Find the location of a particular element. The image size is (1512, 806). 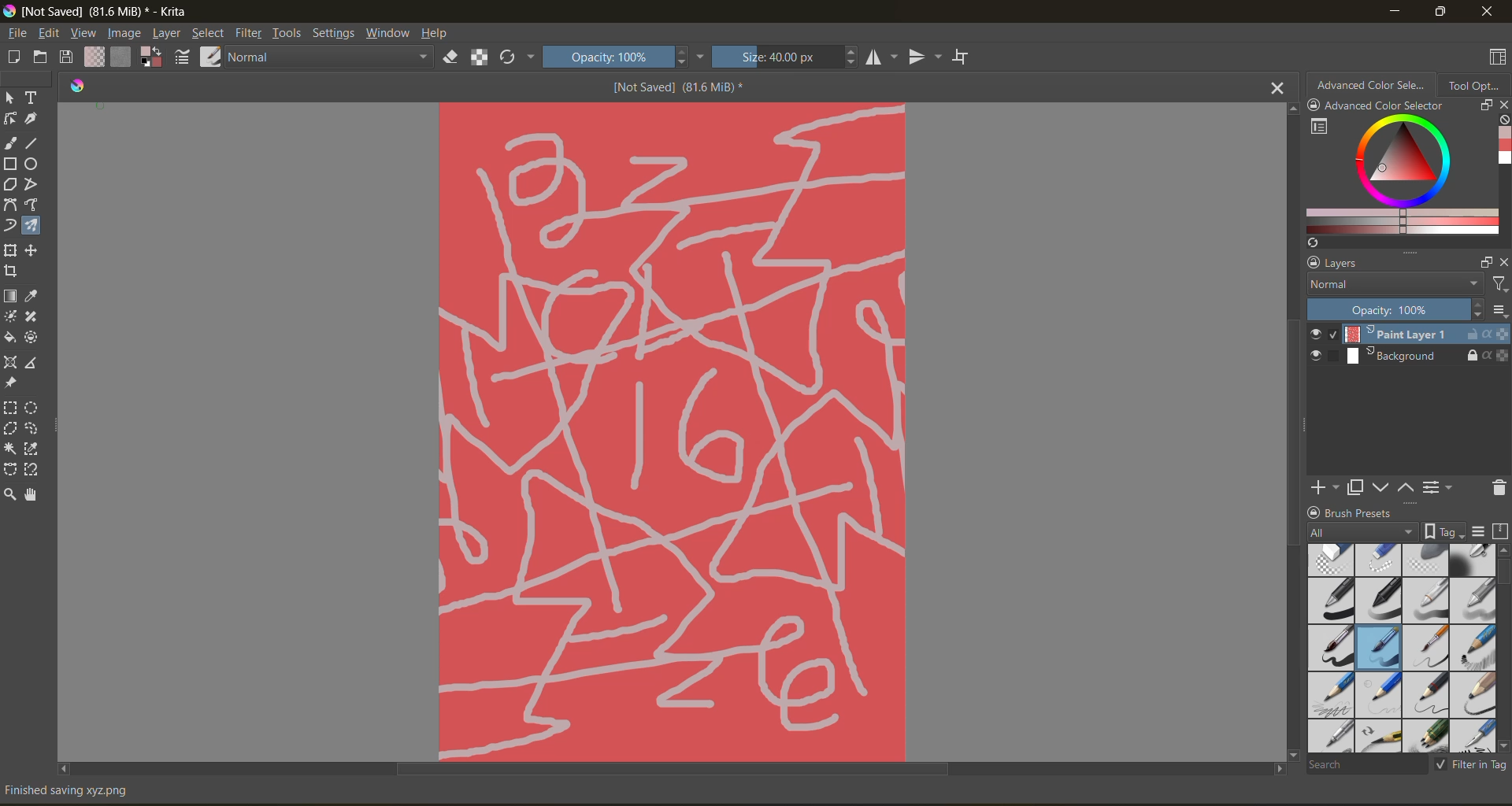

create is located at coordinates (15, 58).